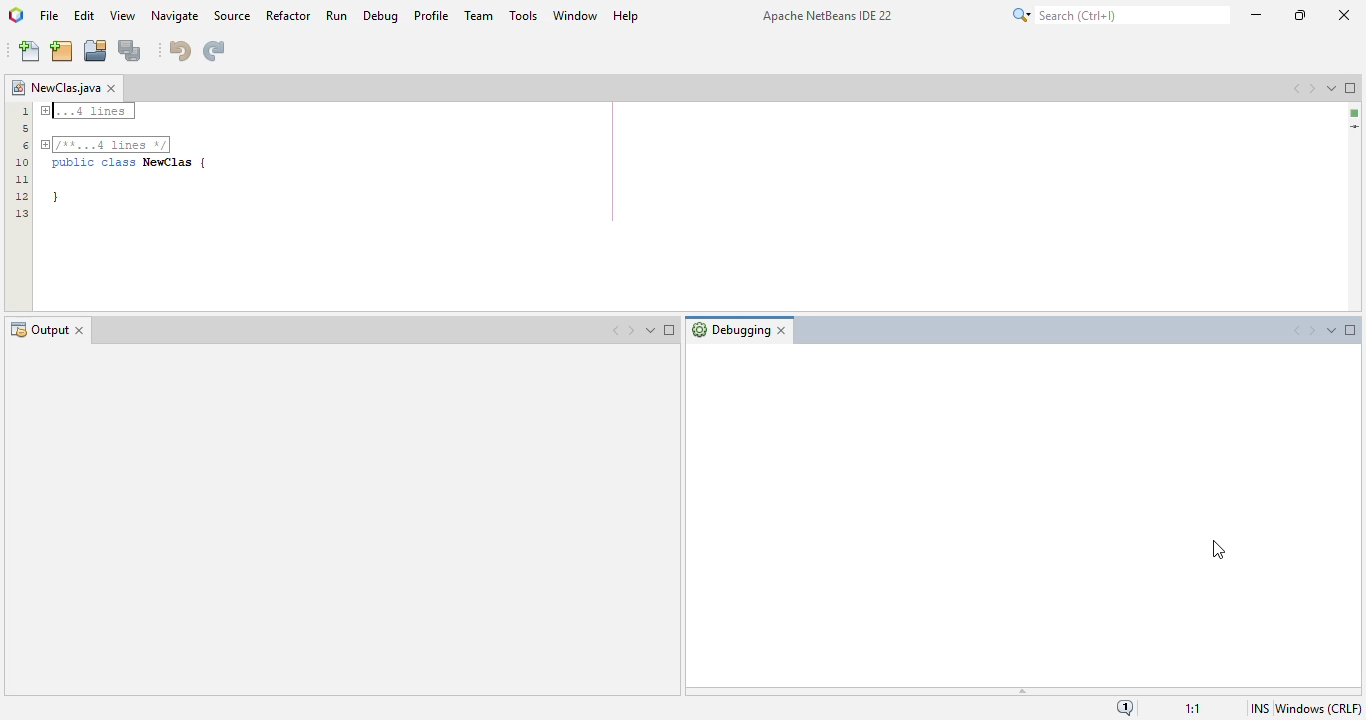  I want to click on Next, so click(1312, 331).